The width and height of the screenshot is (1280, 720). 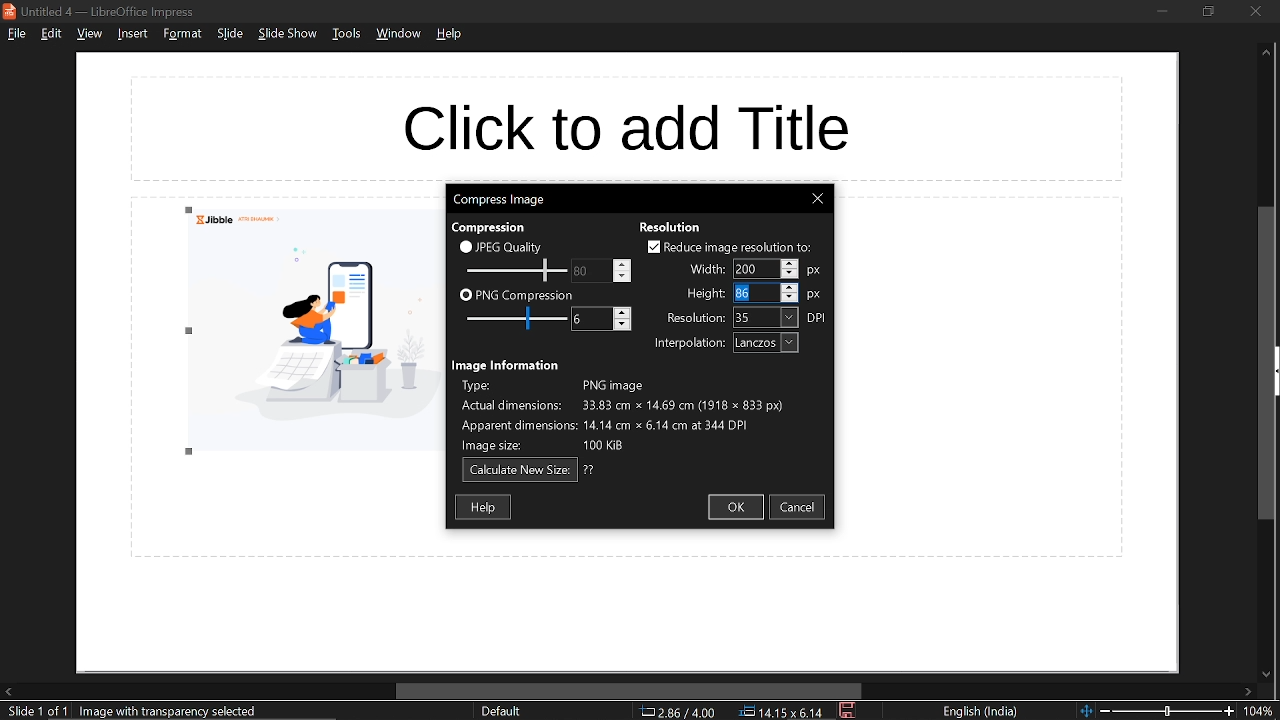 I want to click on format, so click(x=182, y=33).